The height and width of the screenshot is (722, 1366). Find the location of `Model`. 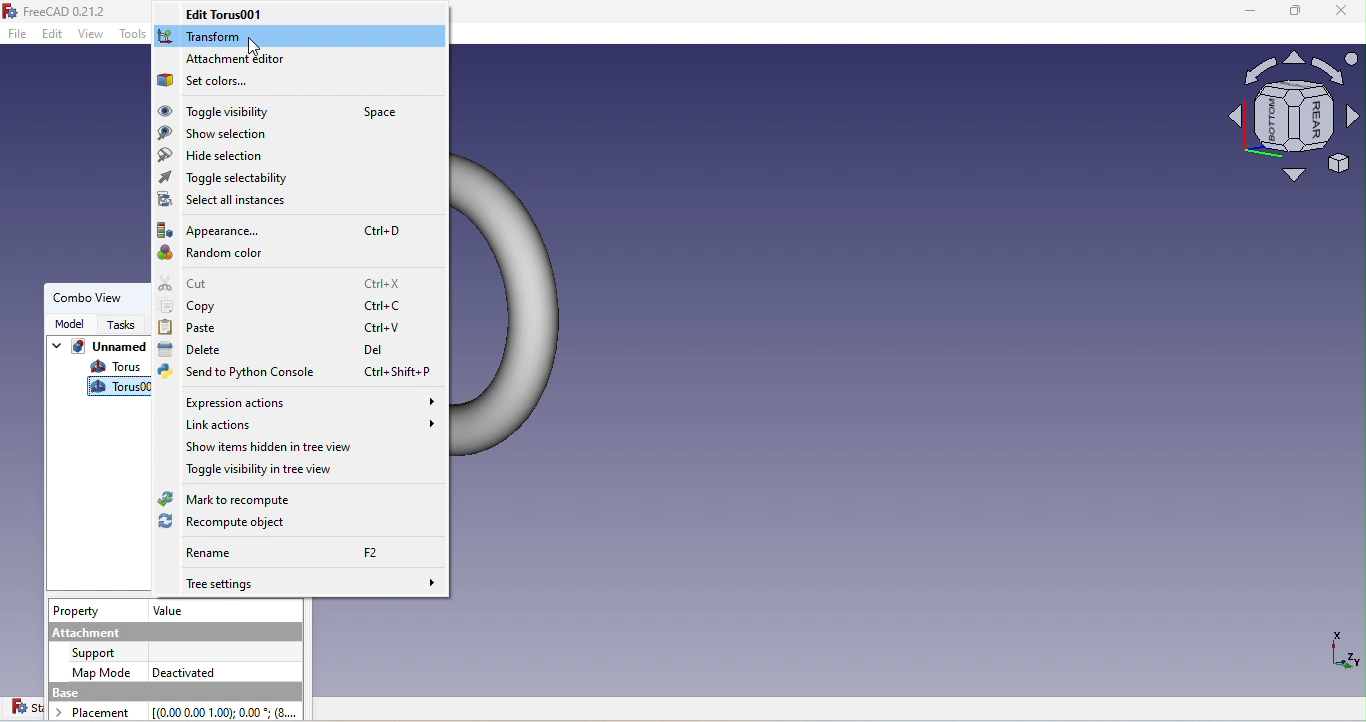

Model is located at coordinates (66, 323).